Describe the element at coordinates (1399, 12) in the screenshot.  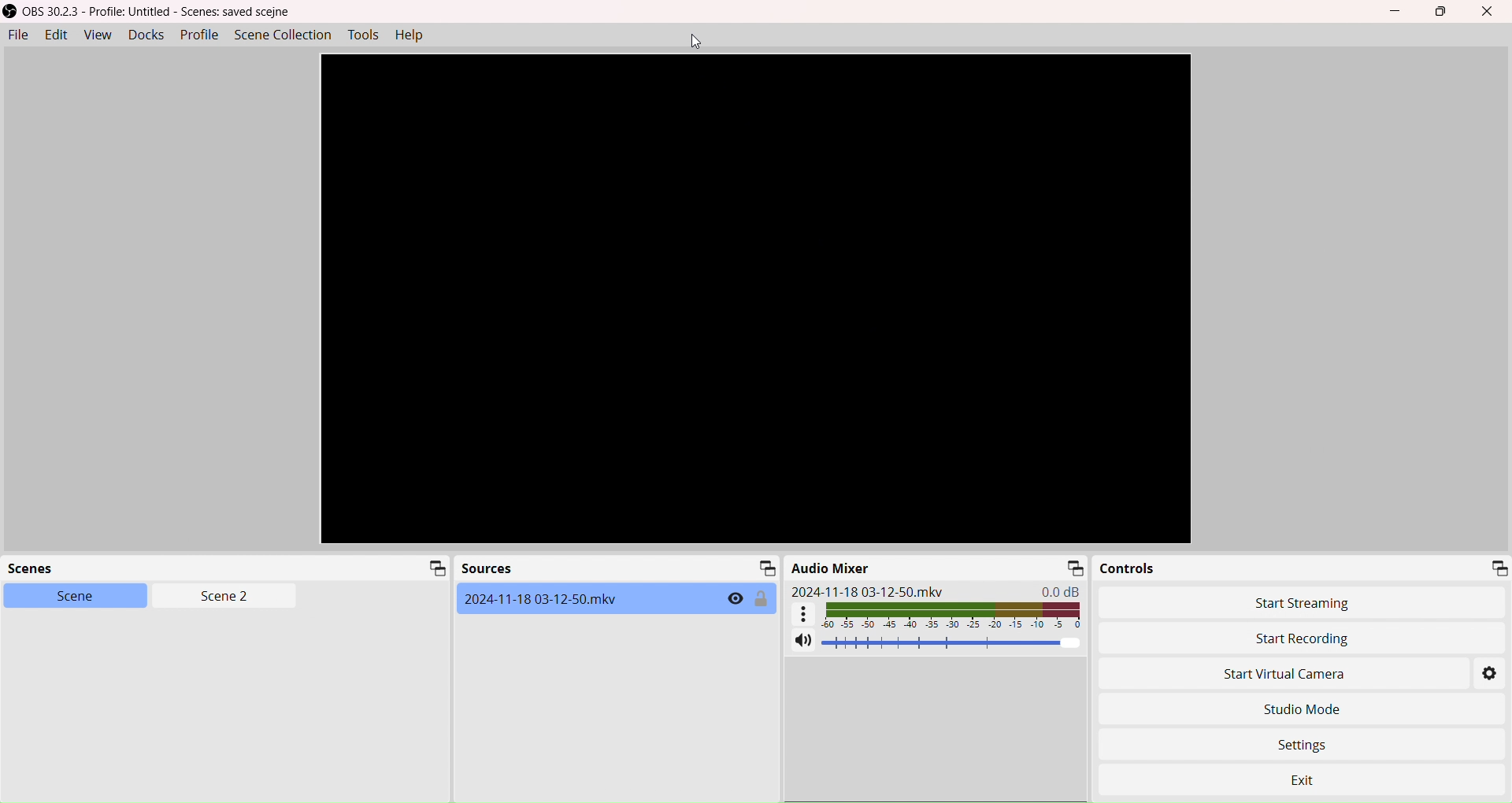
I see `Minimize` at that location.